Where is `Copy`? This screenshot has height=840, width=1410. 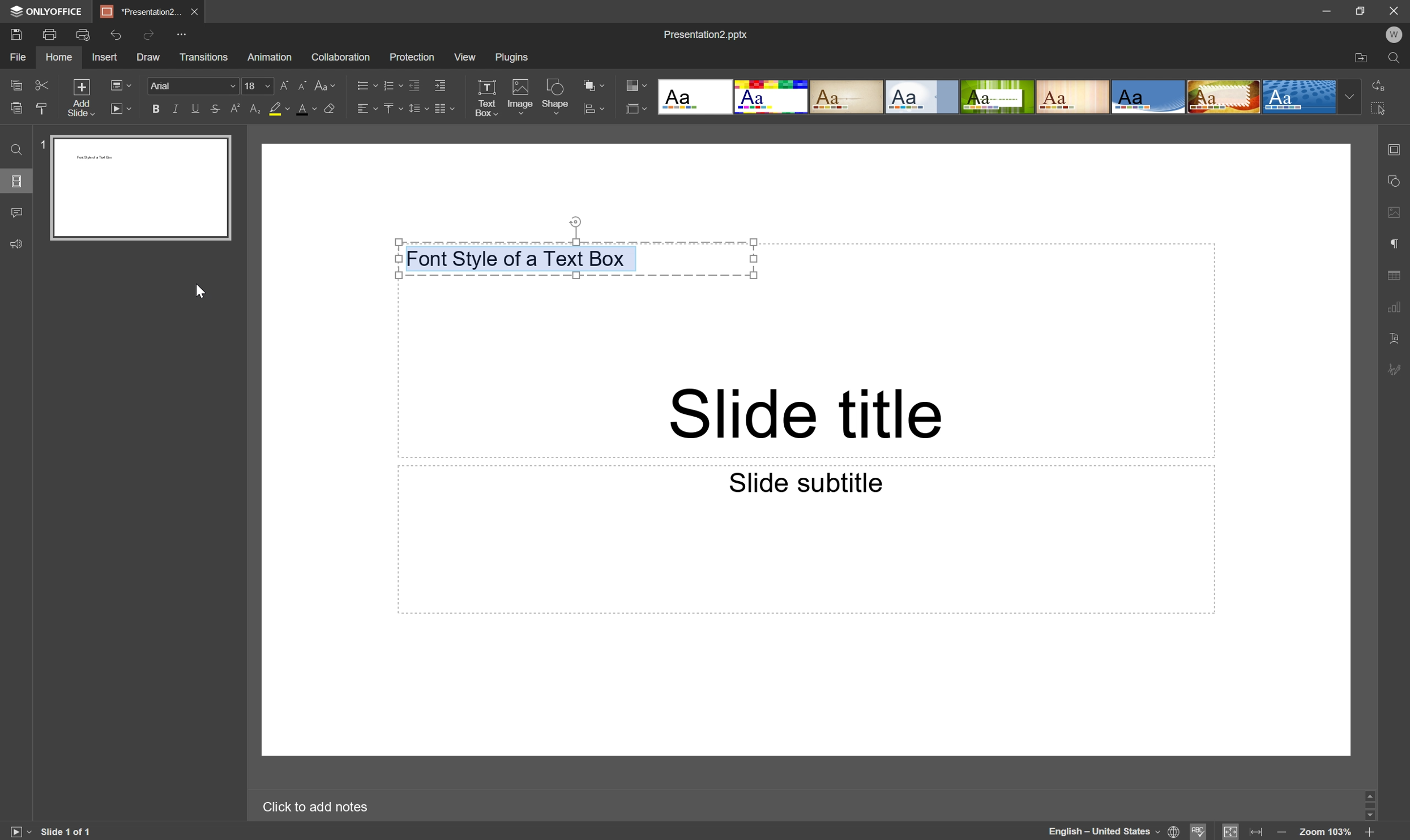 Copy is located at coordinates (17, 84).